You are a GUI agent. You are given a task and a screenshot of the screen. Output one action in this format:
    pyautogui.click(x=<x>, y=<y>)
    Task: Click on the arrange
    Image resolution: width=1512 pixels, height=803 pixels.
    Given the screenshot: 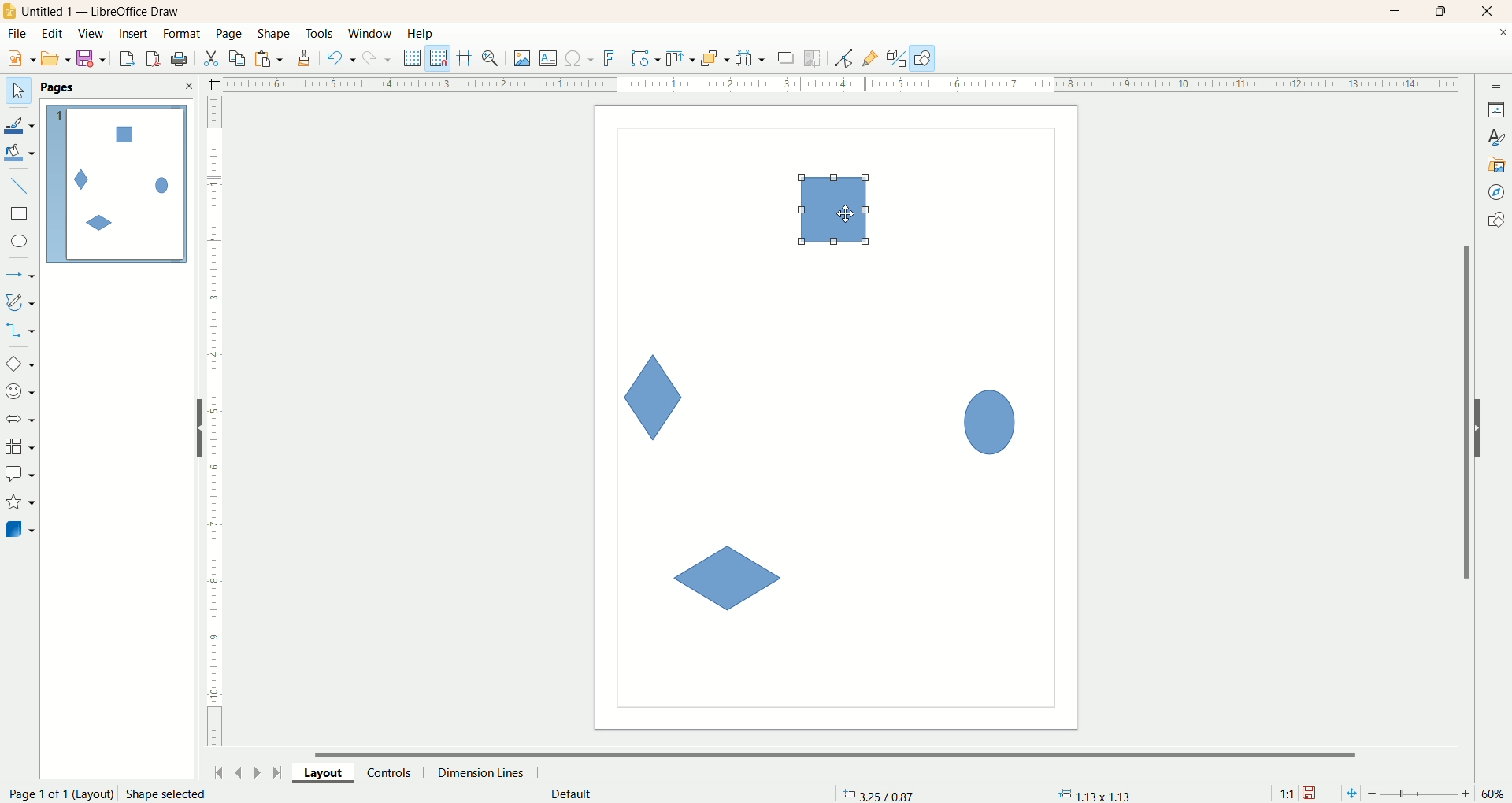 What is the action you would take?
    pyautogui.click(x=716, y=57)
    